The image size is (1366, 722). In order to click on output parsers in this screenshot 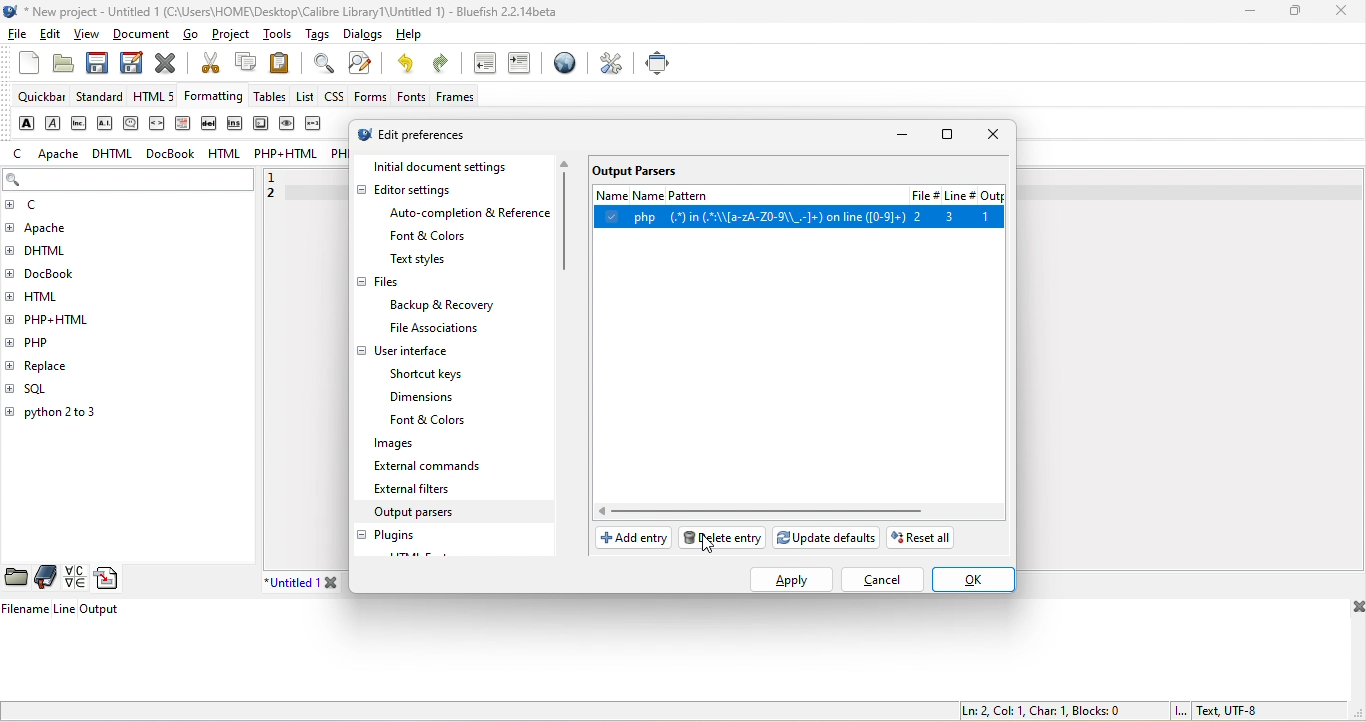, I will do `click(637, 169)`.